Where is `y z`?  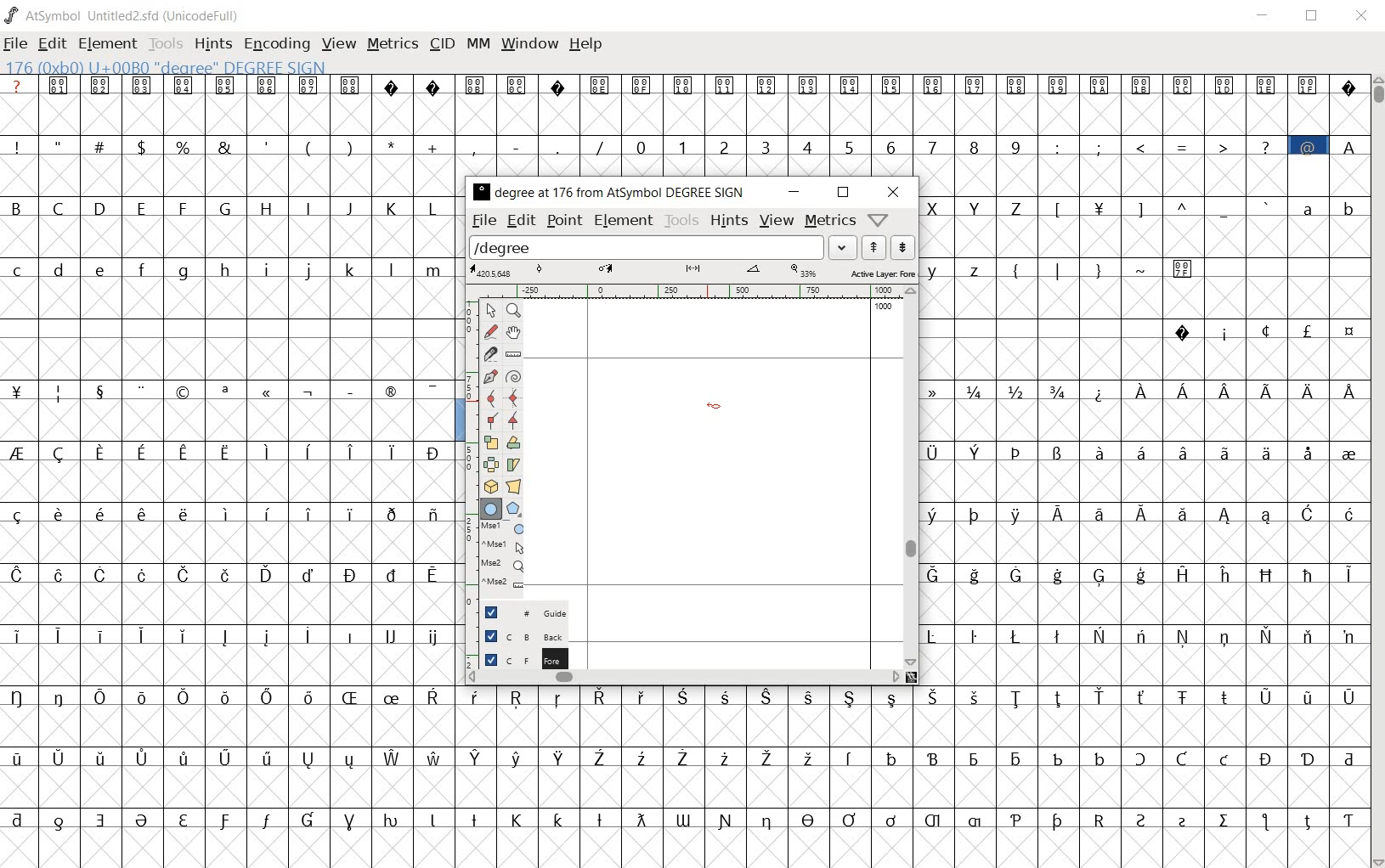 y z is located at coordinates (958, 268).